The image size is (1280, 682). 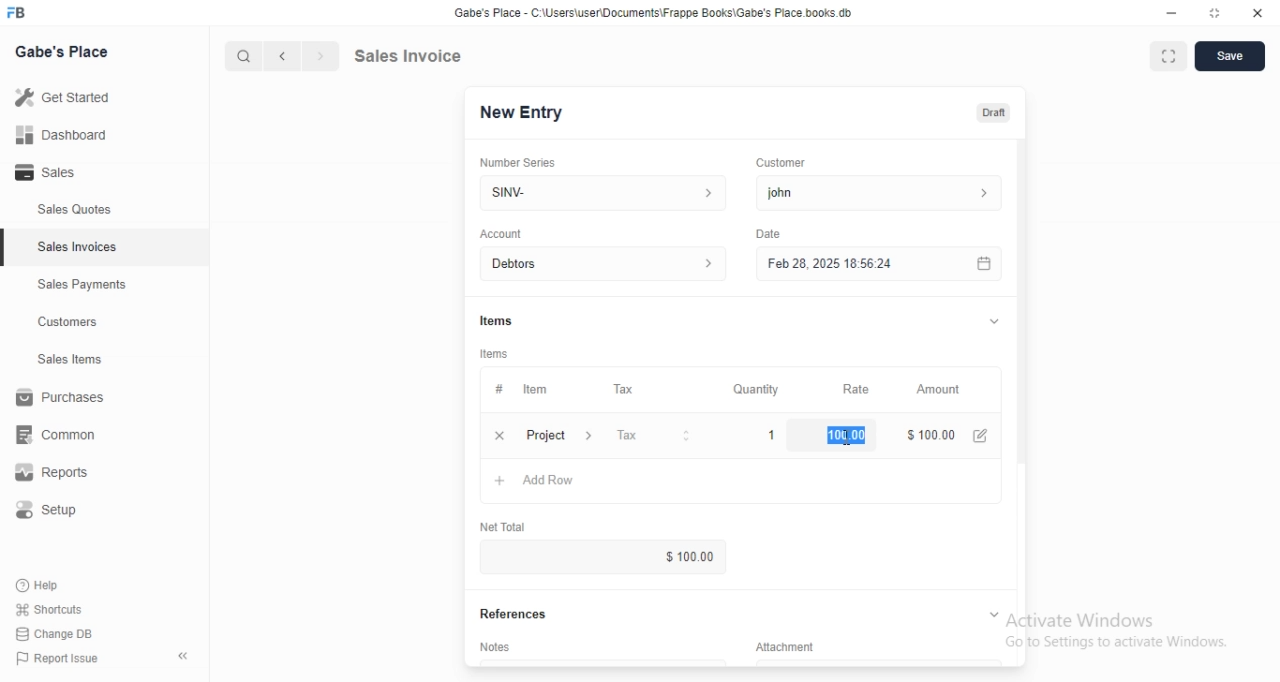 What do you see at coordinates (499, 650) in the screenshot?
I see `‘Notes` at bounding box center [499, 650].